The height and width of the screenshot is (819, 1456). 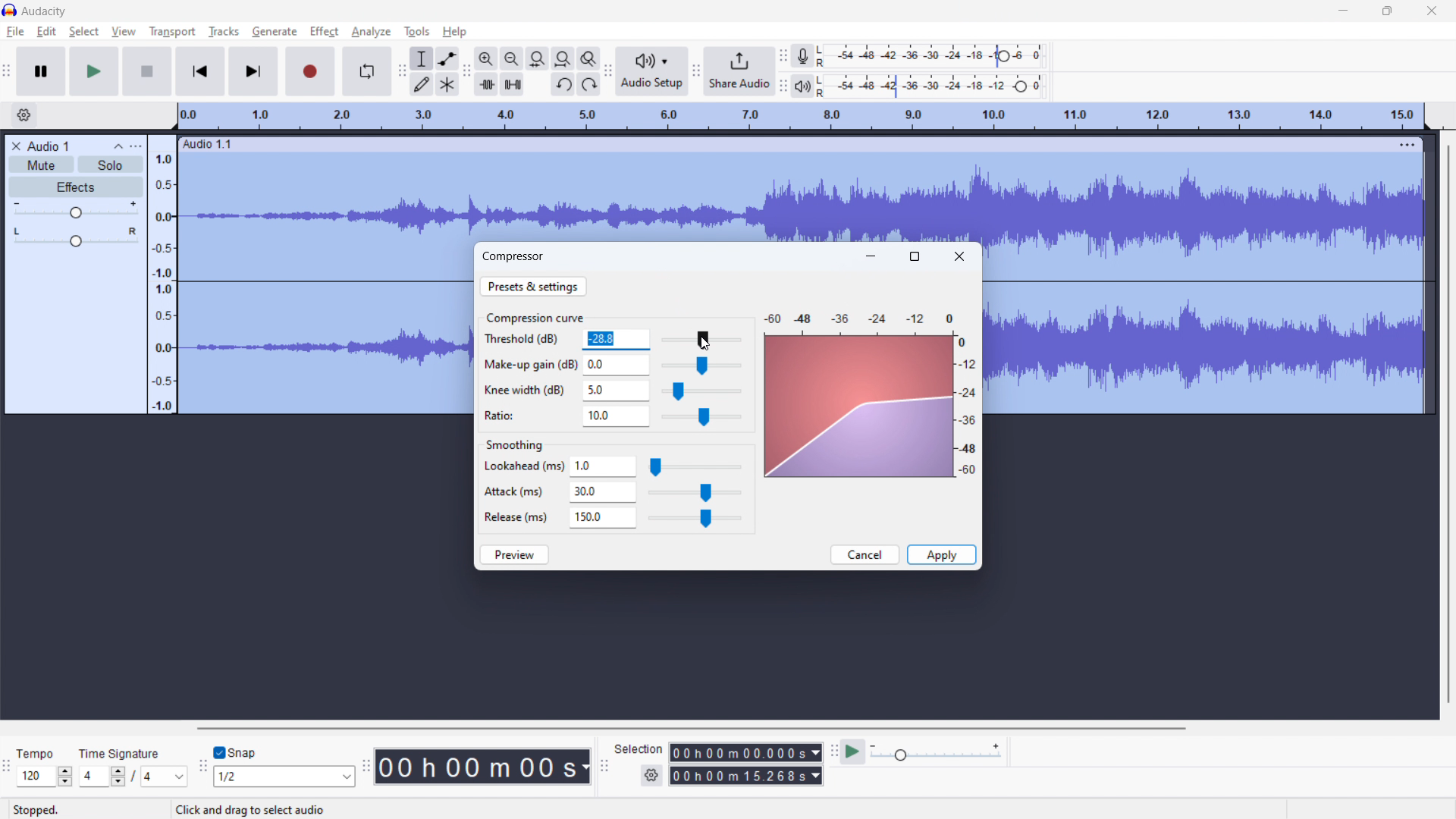 I want to click on timeline, so click(x=800, y=117).